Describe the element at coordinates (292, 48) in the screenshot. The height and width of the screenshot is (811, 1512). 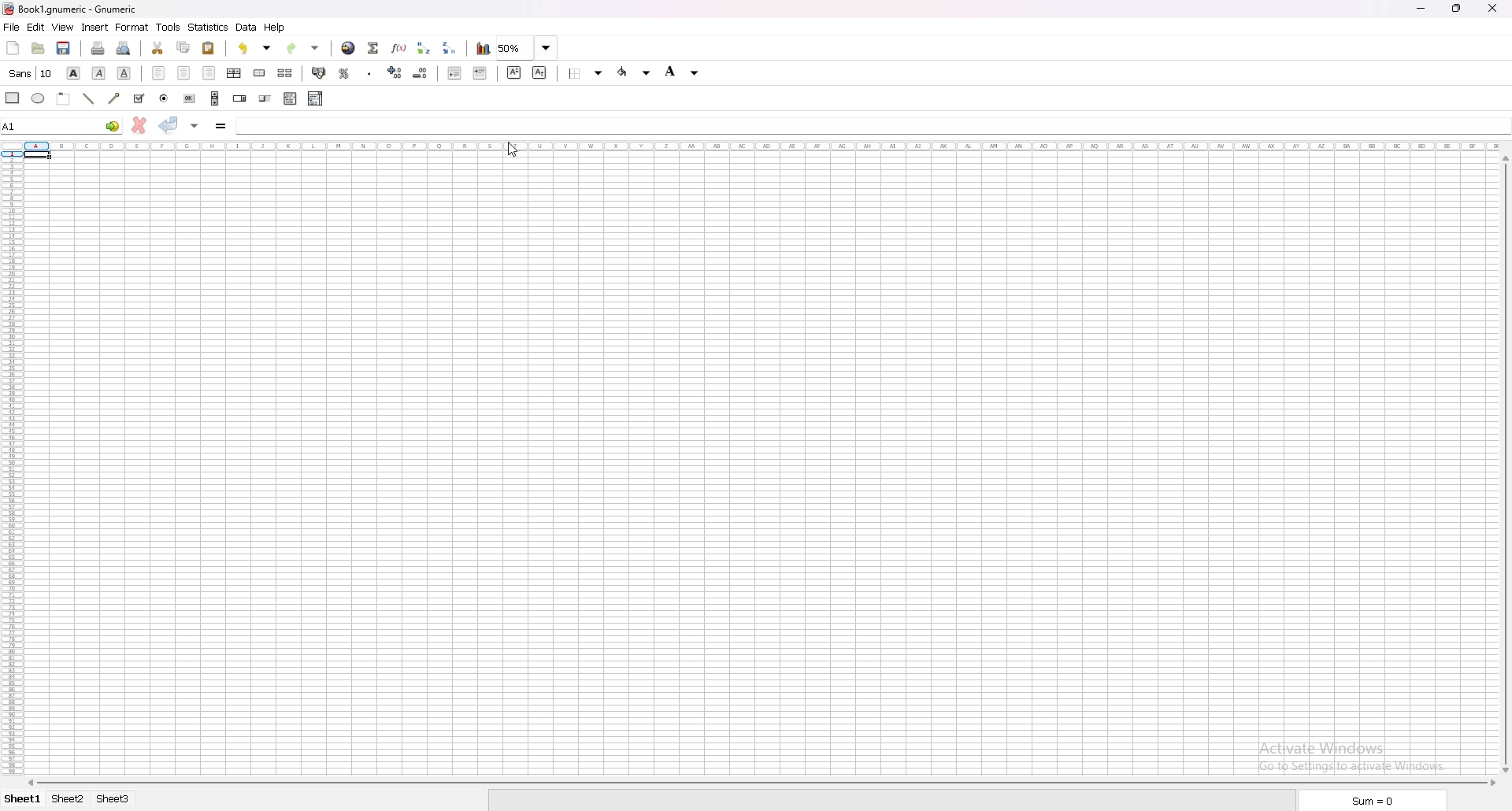
I see `redo` at that location.